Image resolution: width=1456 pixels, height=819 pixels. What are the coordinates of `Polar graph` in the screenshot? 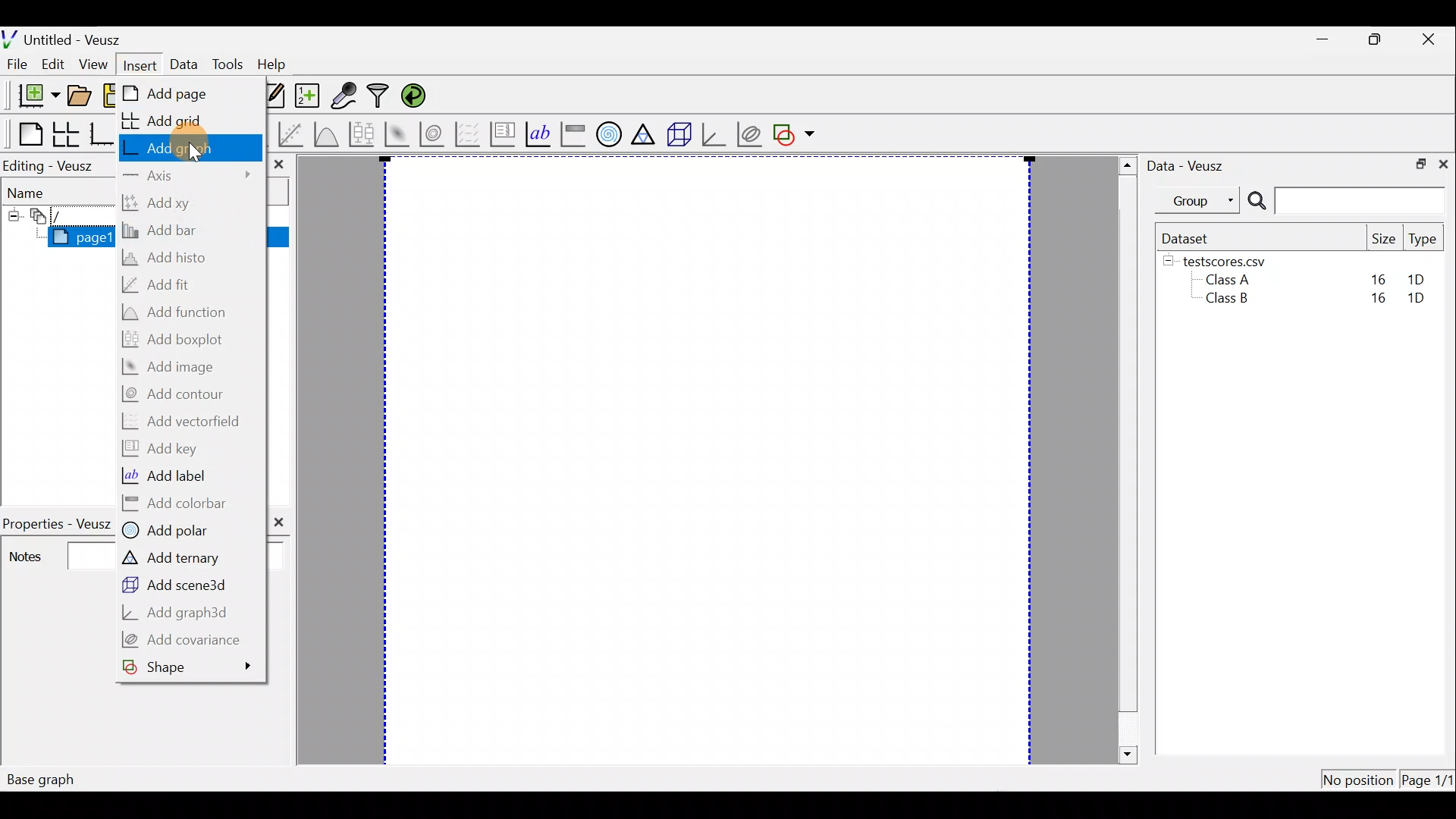 It's located at (609, 135).